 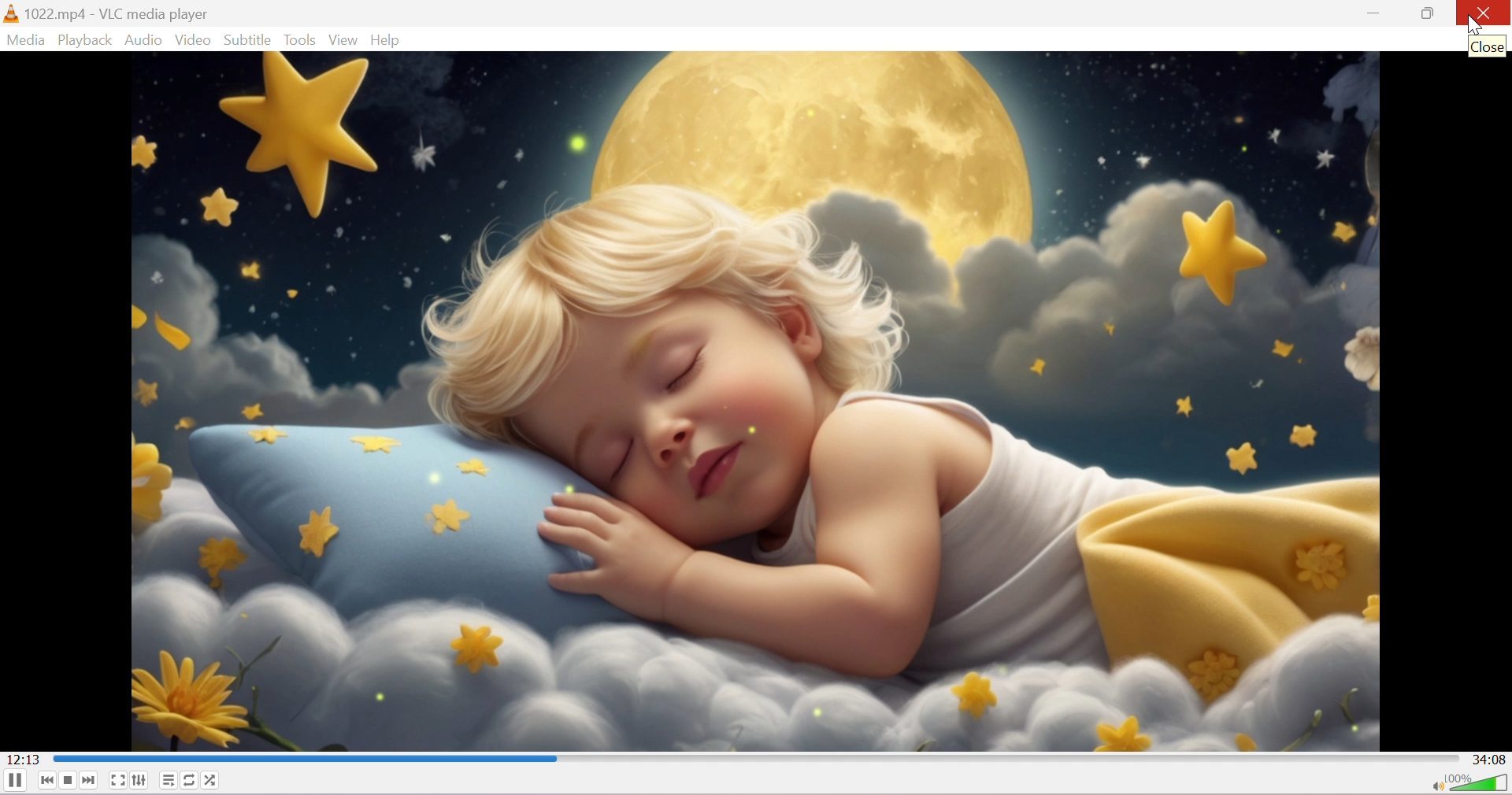 What do you see at coordinates (1375, 13) in the screenshot?
I see `Minimize` at bounding box center [1375, 13].